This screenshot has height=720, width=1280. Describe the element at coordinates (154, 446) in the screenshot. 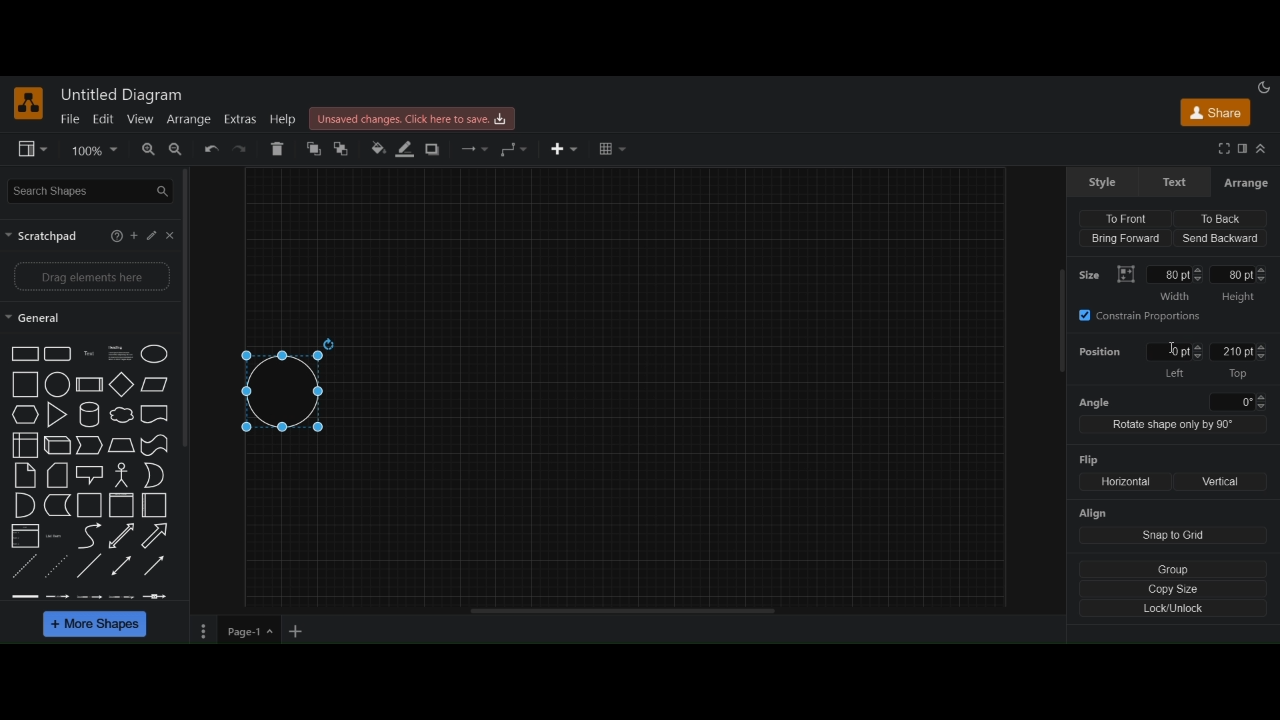

I see `free shape` at that location.